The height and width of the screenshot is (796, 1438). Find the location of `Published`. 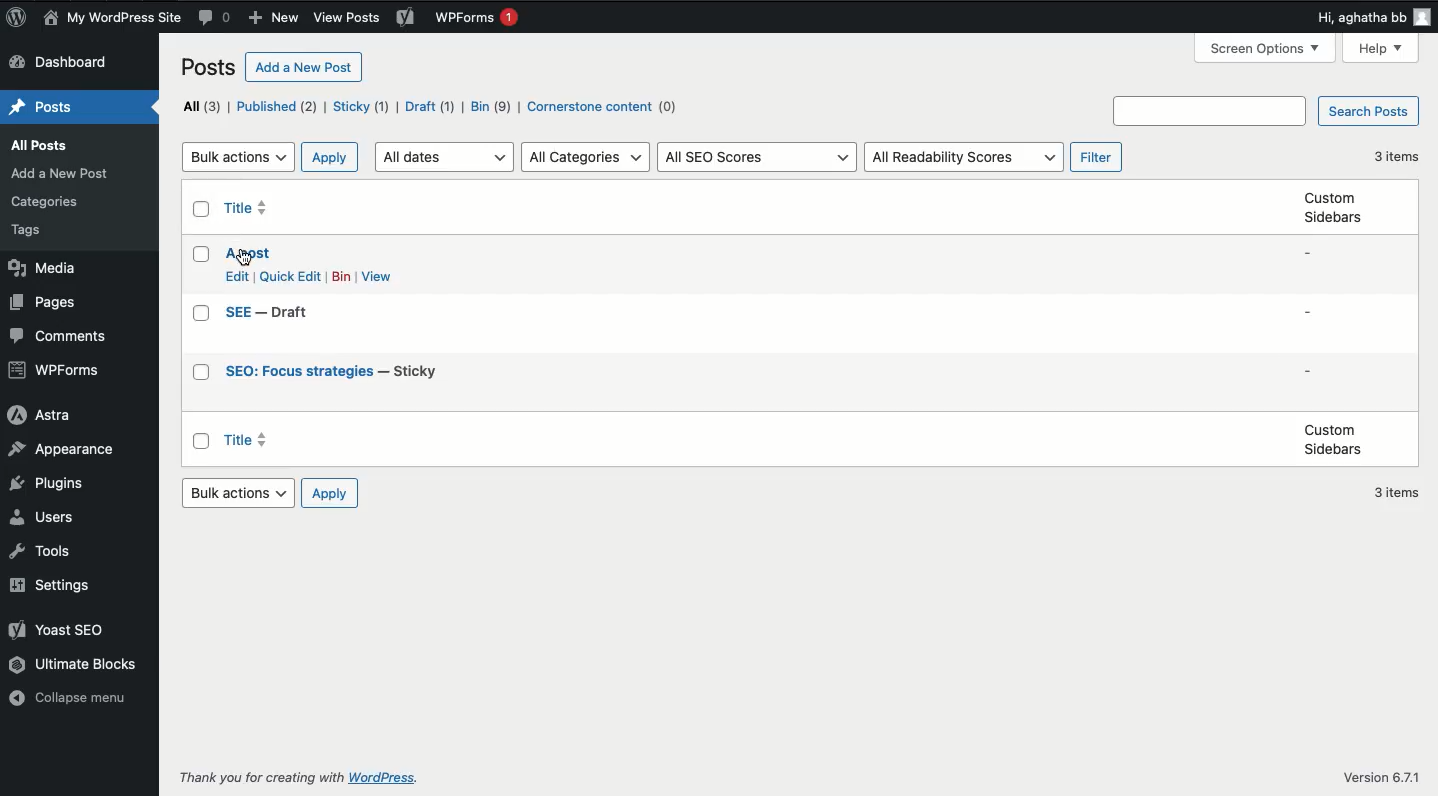

Published is located at coordinates (277, 106).